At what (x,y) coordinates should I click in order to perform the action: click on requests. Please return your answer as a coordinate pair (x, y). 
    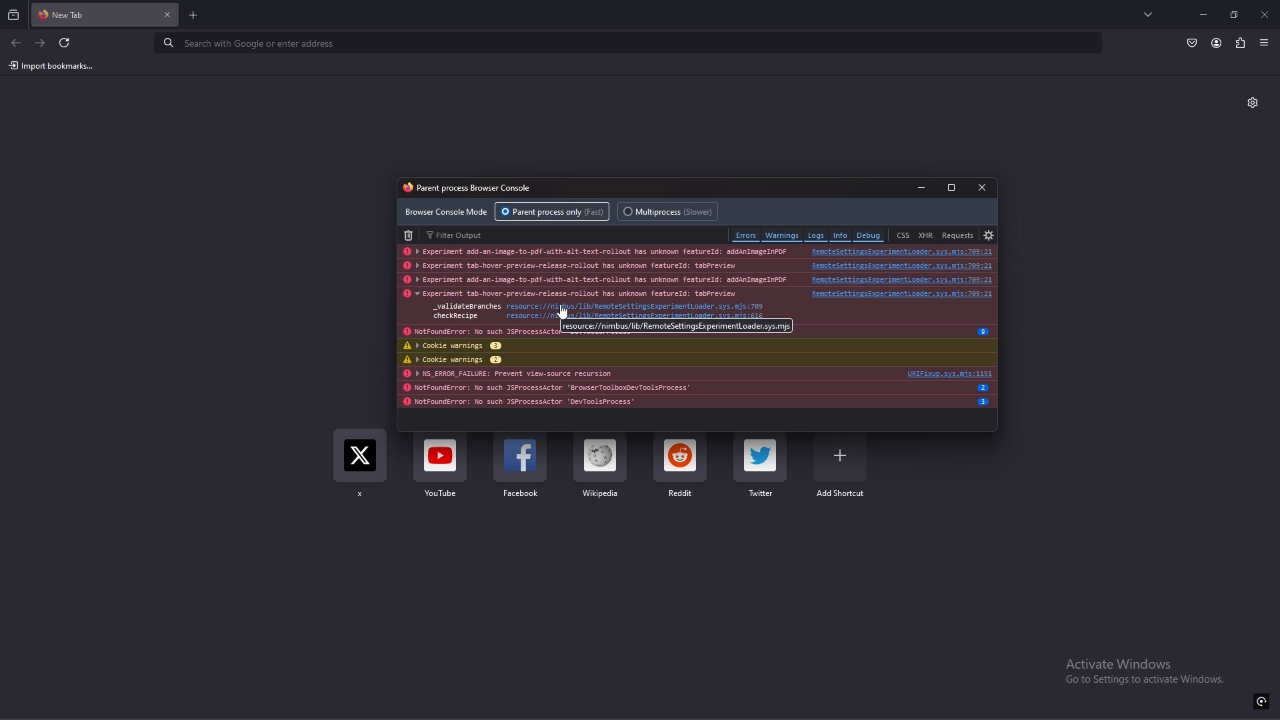
    Looking at the image, I should click on (959, 234).